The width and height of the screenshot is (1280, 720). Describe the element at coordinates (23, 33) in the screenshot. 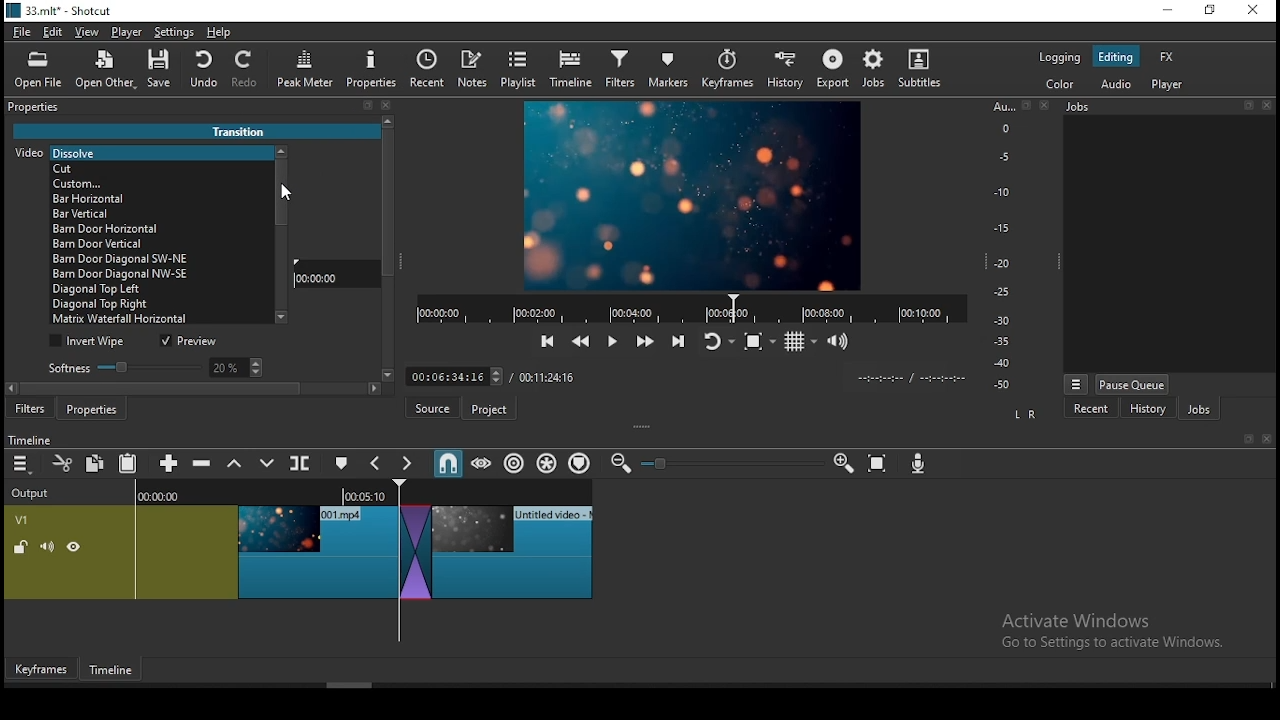

I see `file` at that location.